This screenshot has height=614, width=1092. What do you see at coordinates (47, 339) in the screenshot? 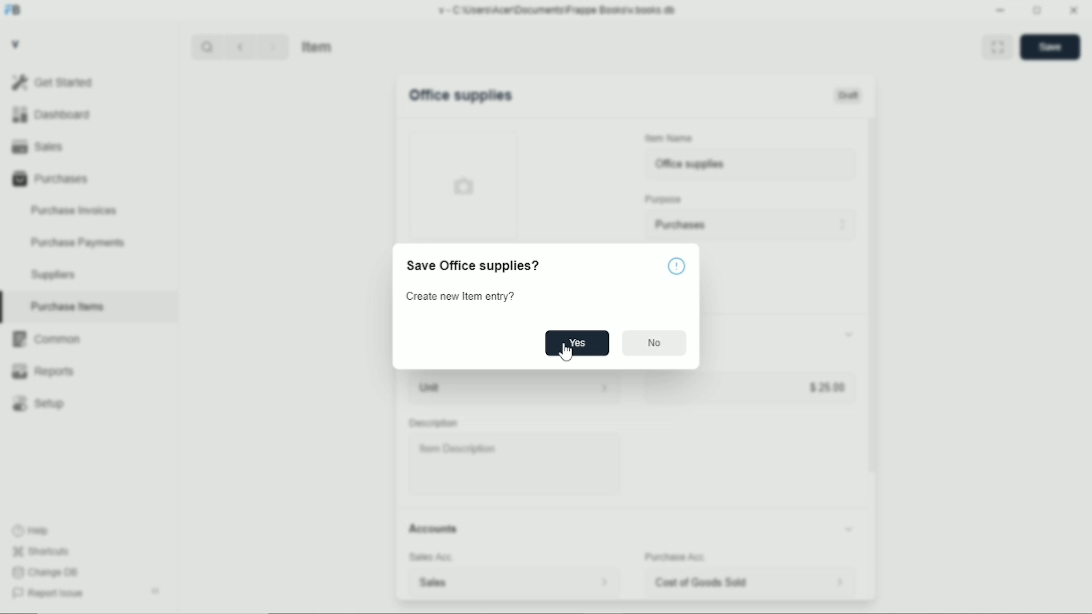
I see `common` at bounding box center [47, 339].